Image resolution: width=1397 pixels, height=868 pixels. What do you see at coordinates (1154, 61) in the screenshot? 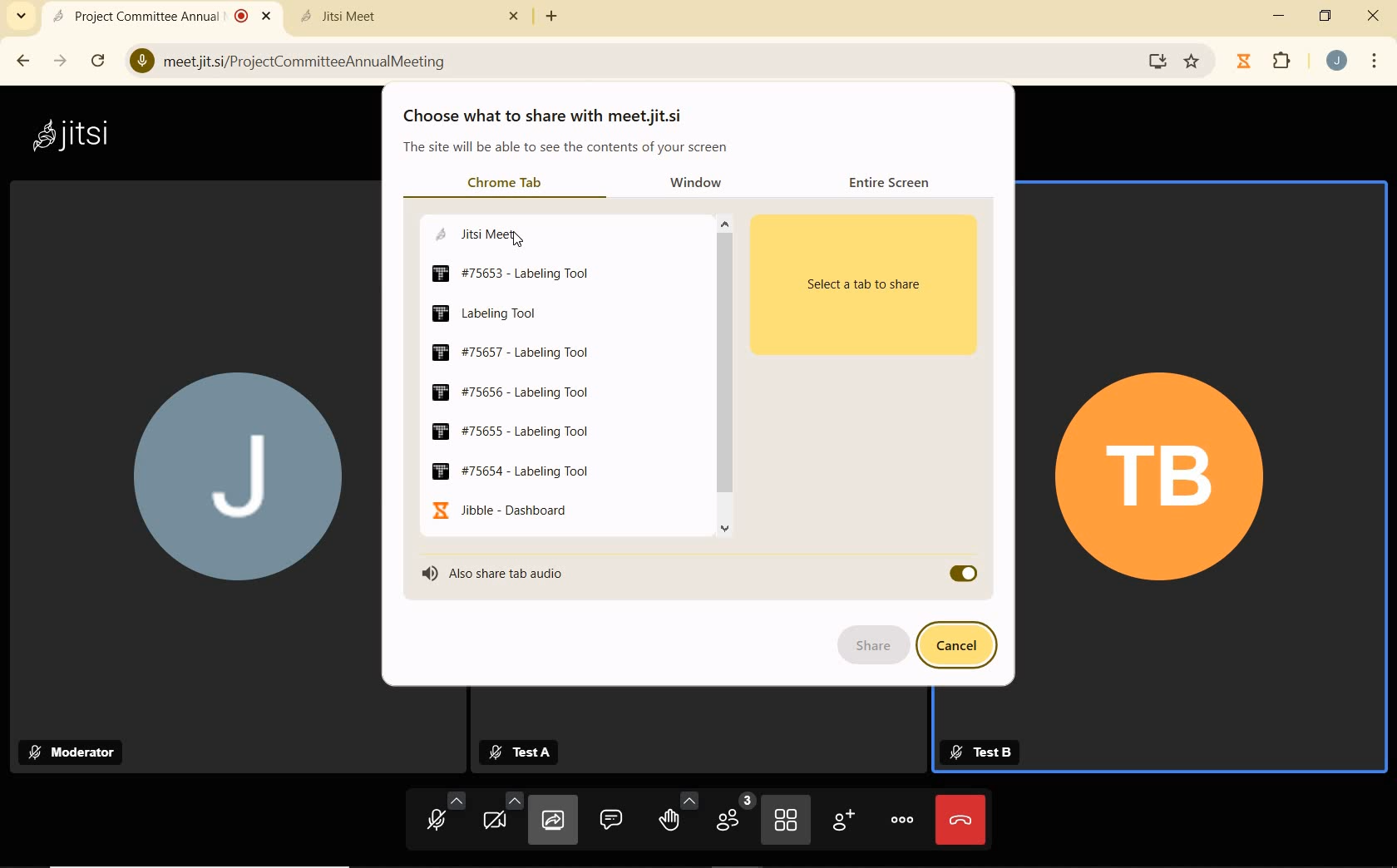
I see `screen` at bounding box center [1154, 61].